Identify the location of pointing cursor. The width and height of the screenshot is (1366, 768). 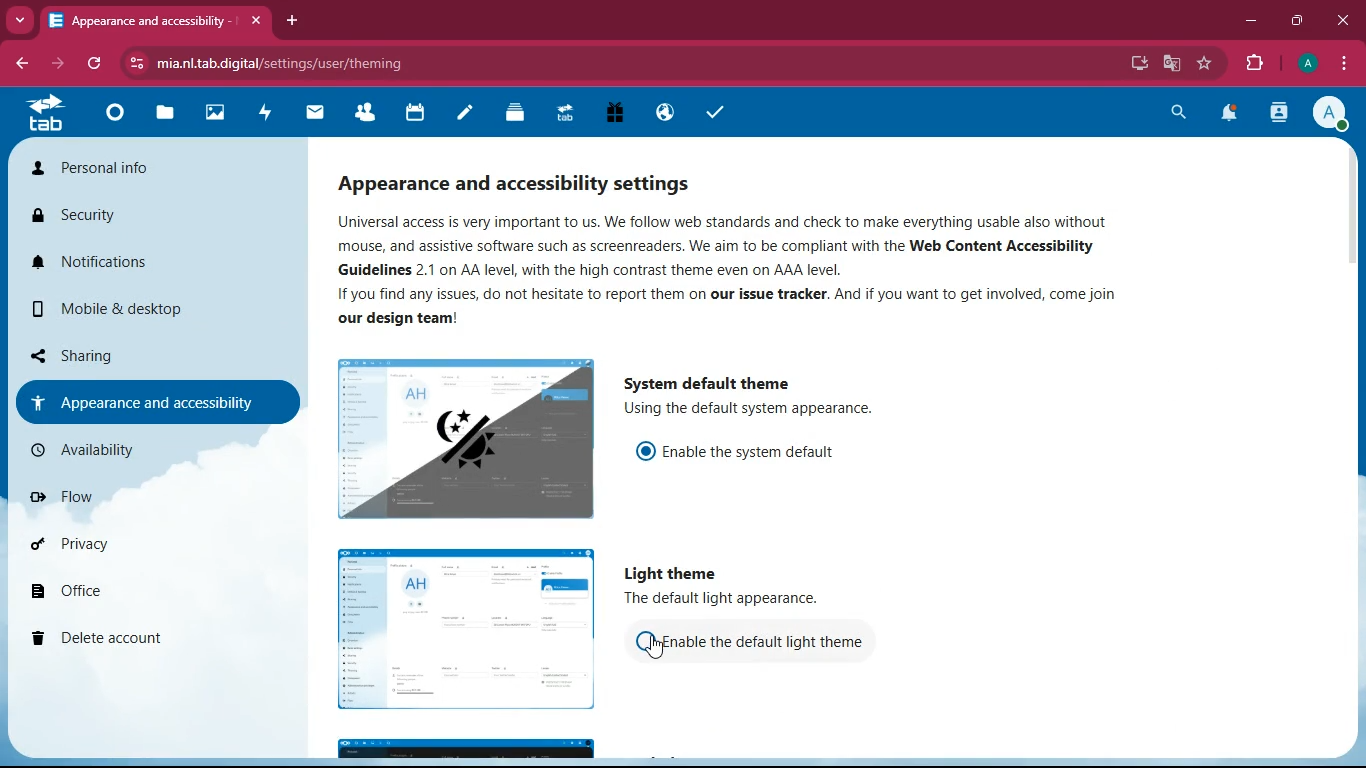
(655, 648).